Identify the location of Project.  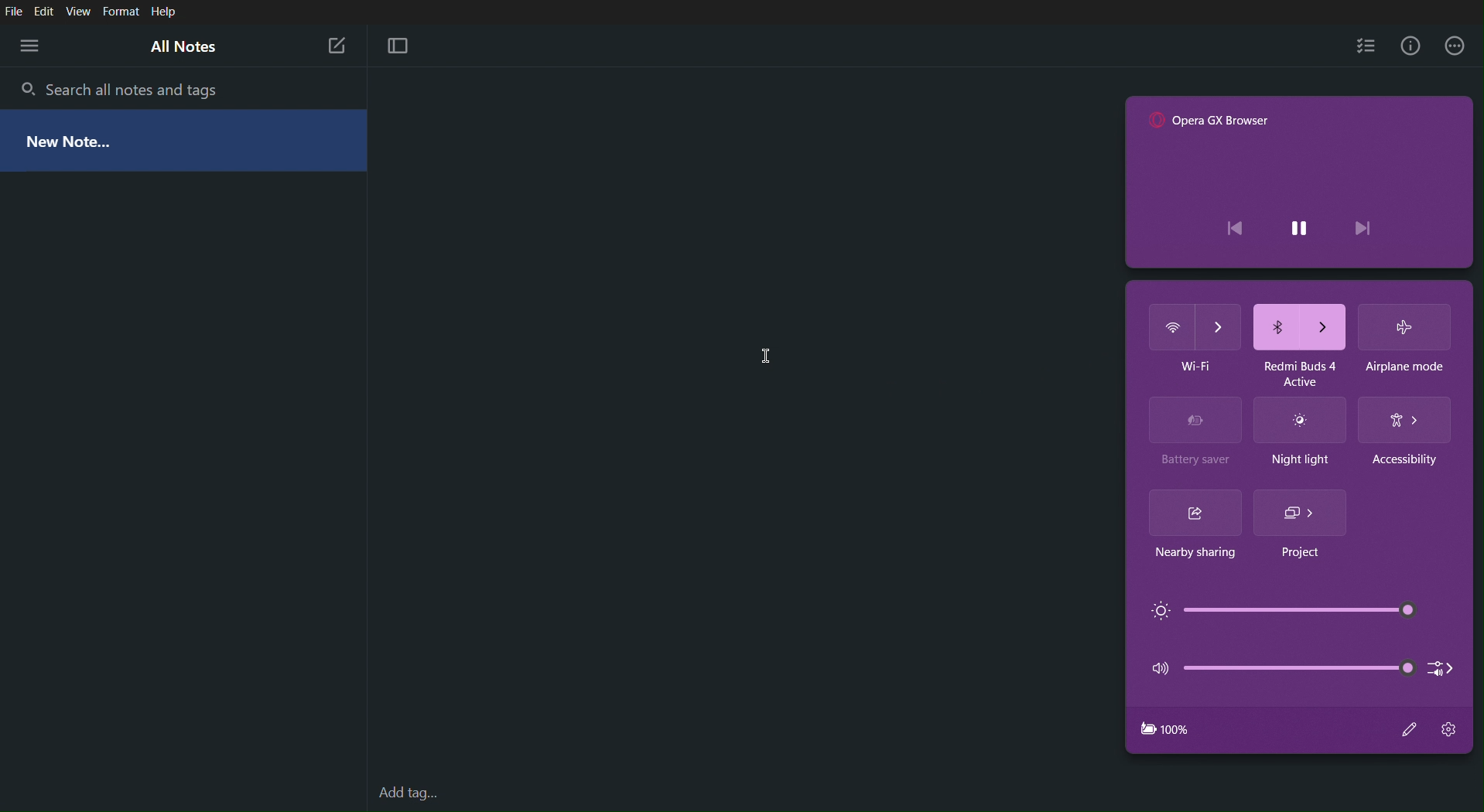
(1304, 514).